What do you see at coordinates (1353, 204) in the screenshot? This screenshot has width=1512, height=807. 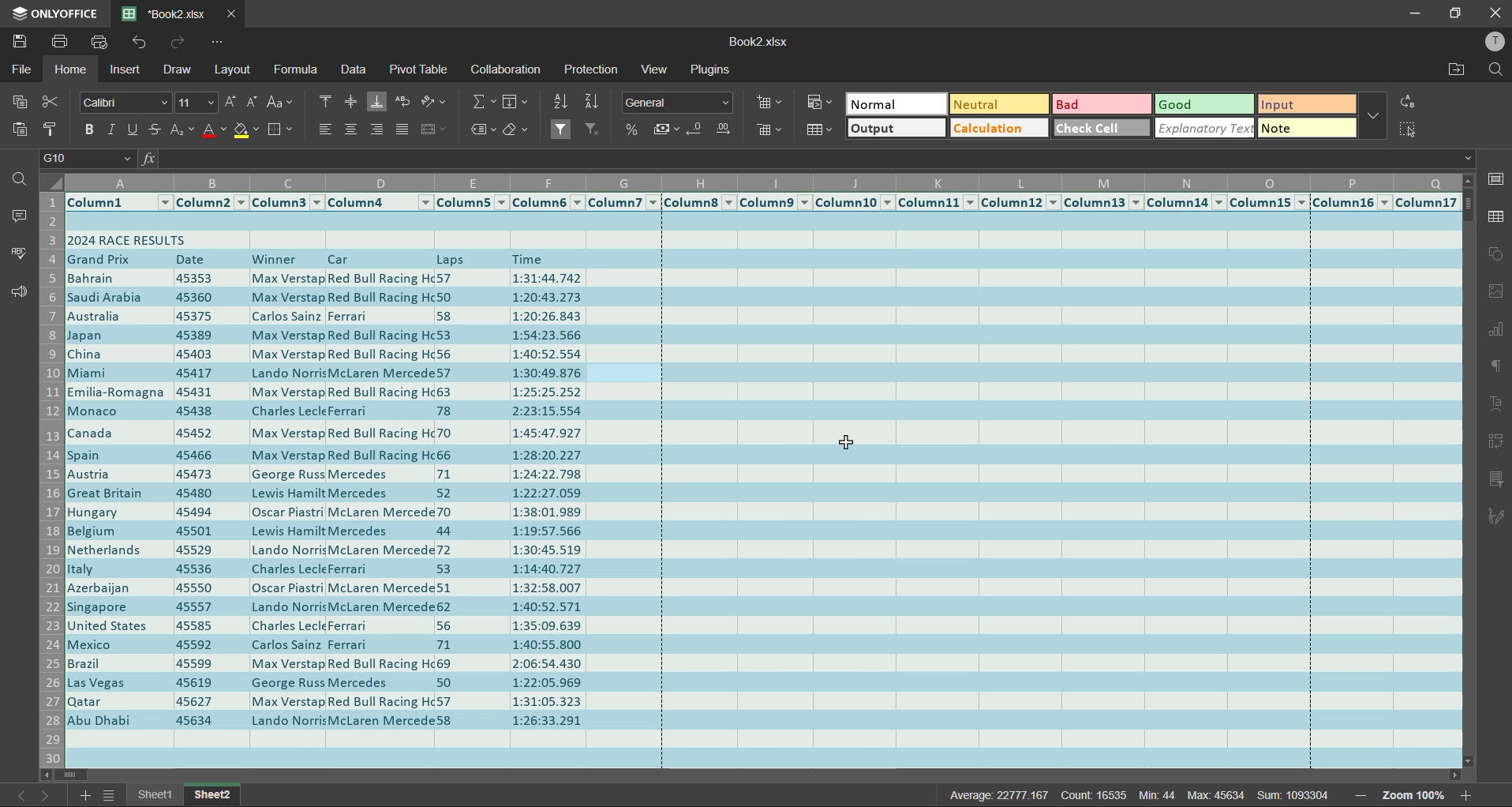 I see `Column ` at bounding box center [1353, 204].